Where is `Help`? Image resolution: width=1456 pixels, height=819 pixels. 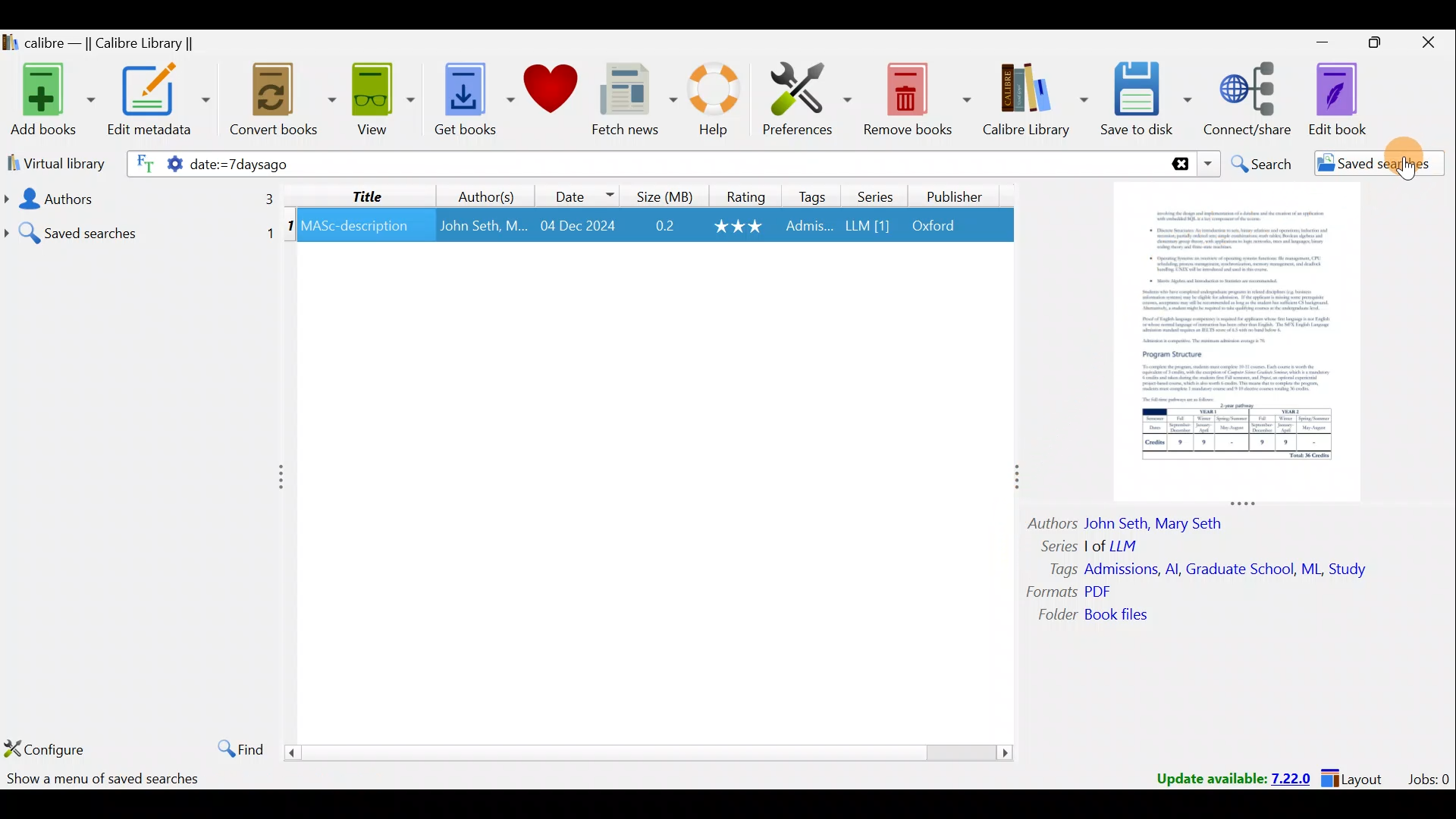 Help is located at coordinates (720, 102).